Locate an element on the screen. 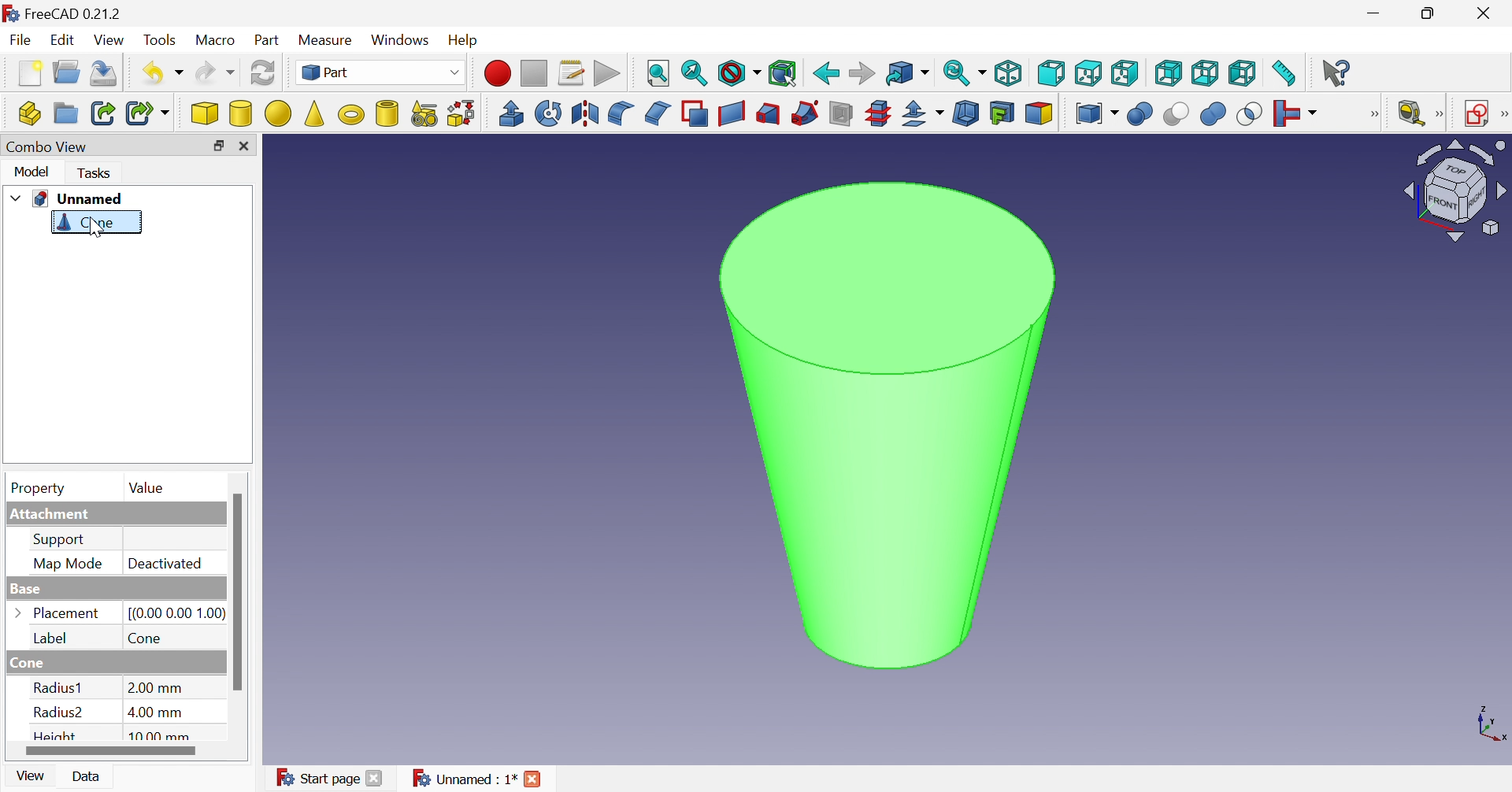 The width and height of the screenshot is (1512, 792). 2.00 mm is located at coordinates (153, 689).